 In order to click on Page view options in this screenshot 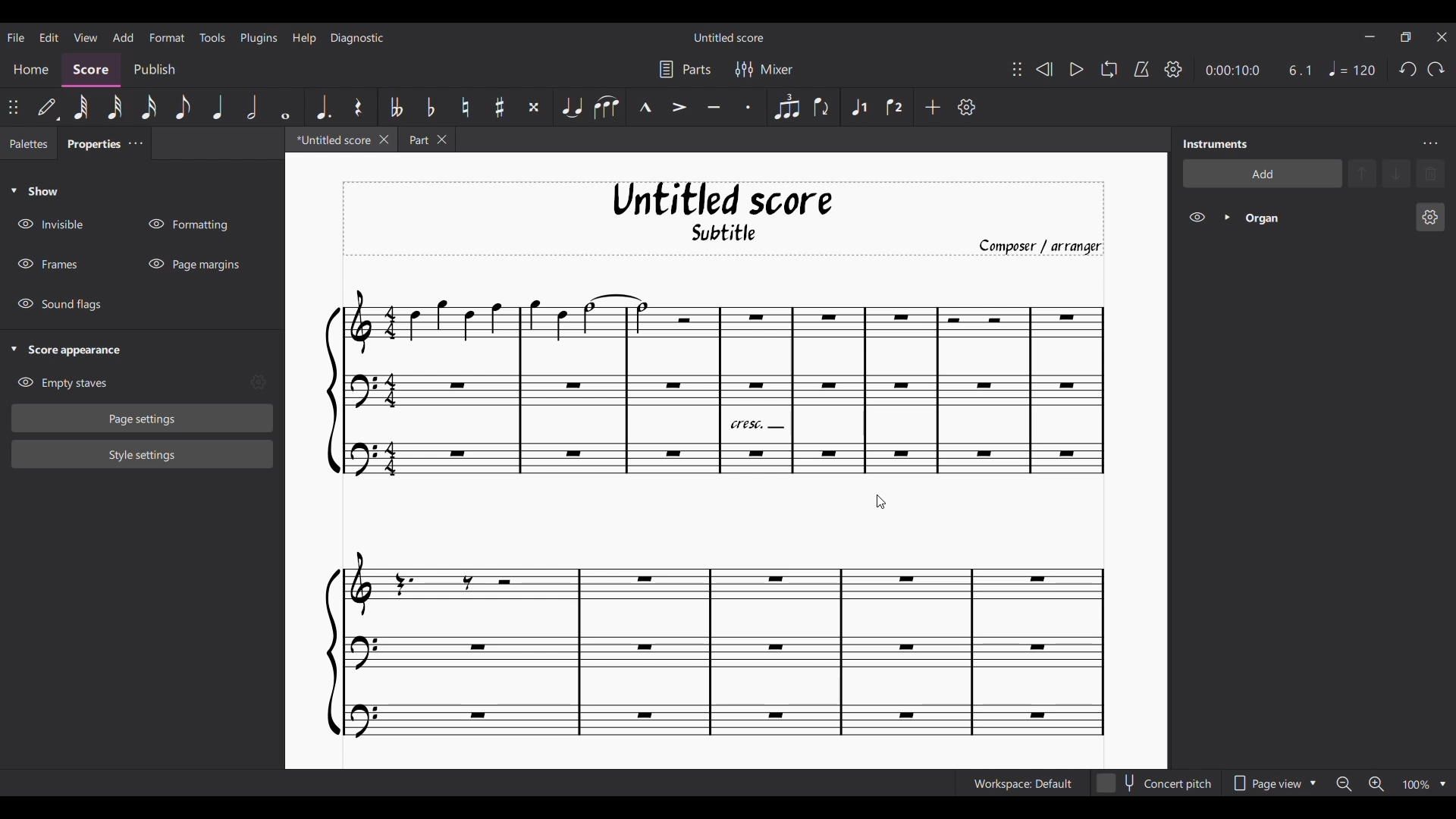, I will do `click(1270, 783)`.